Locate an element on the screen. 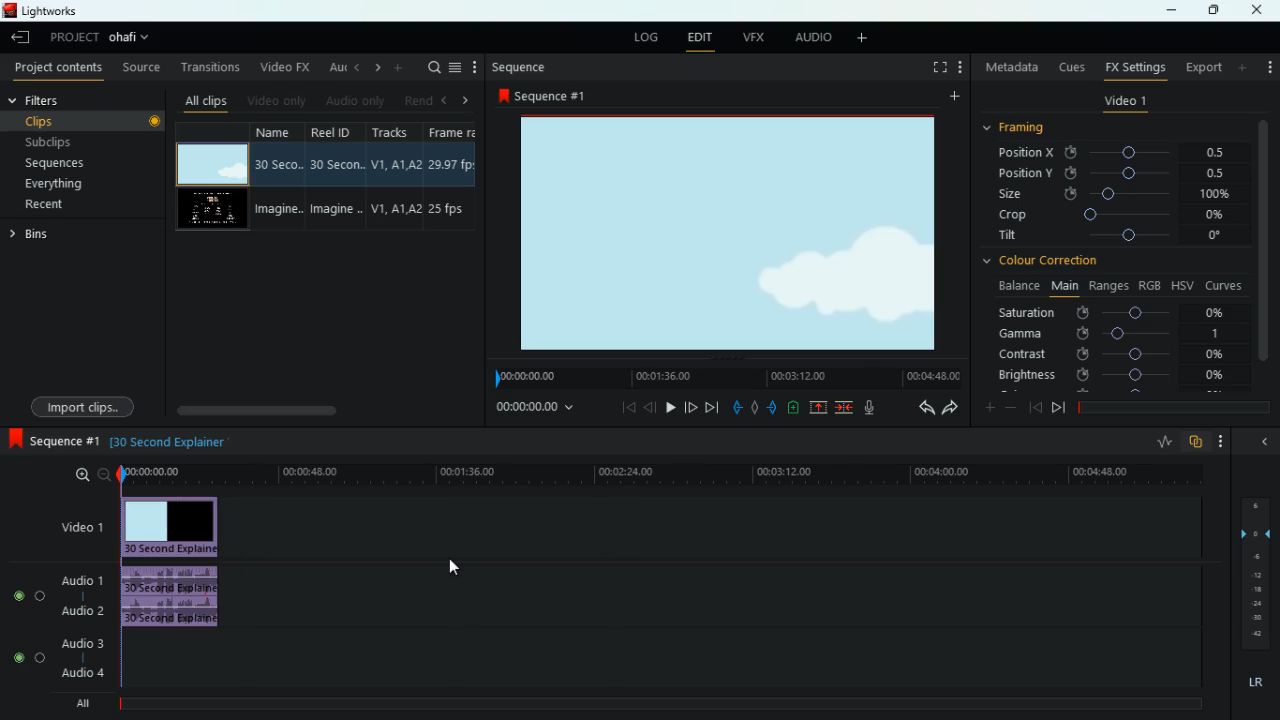 The image size is (1280, 720). video 1 is located at coordinates (76, 526).